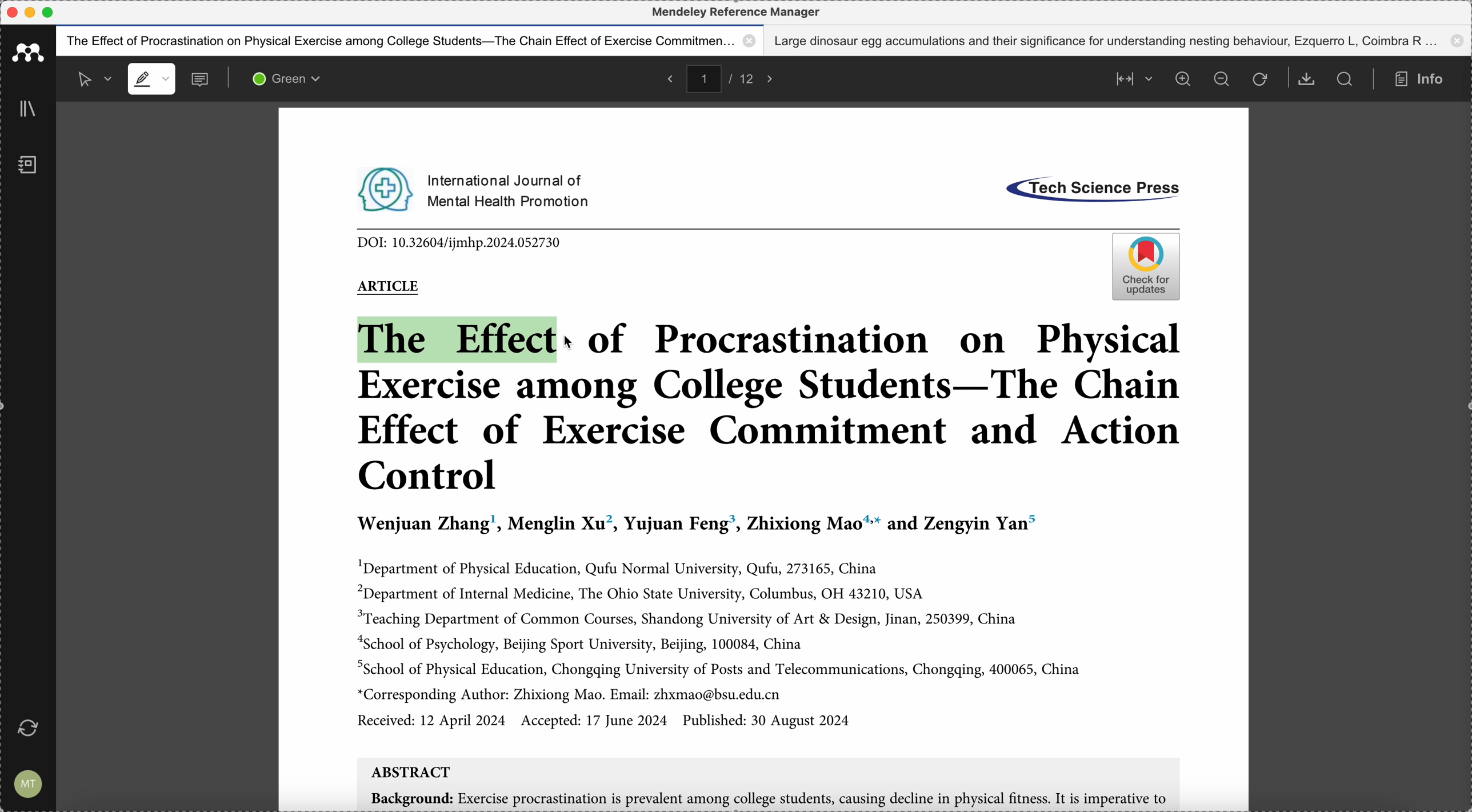  What do you see at coordinates (151, 79) in the screenshot?
I see `highlight mode` at bounding box center [151, 79].